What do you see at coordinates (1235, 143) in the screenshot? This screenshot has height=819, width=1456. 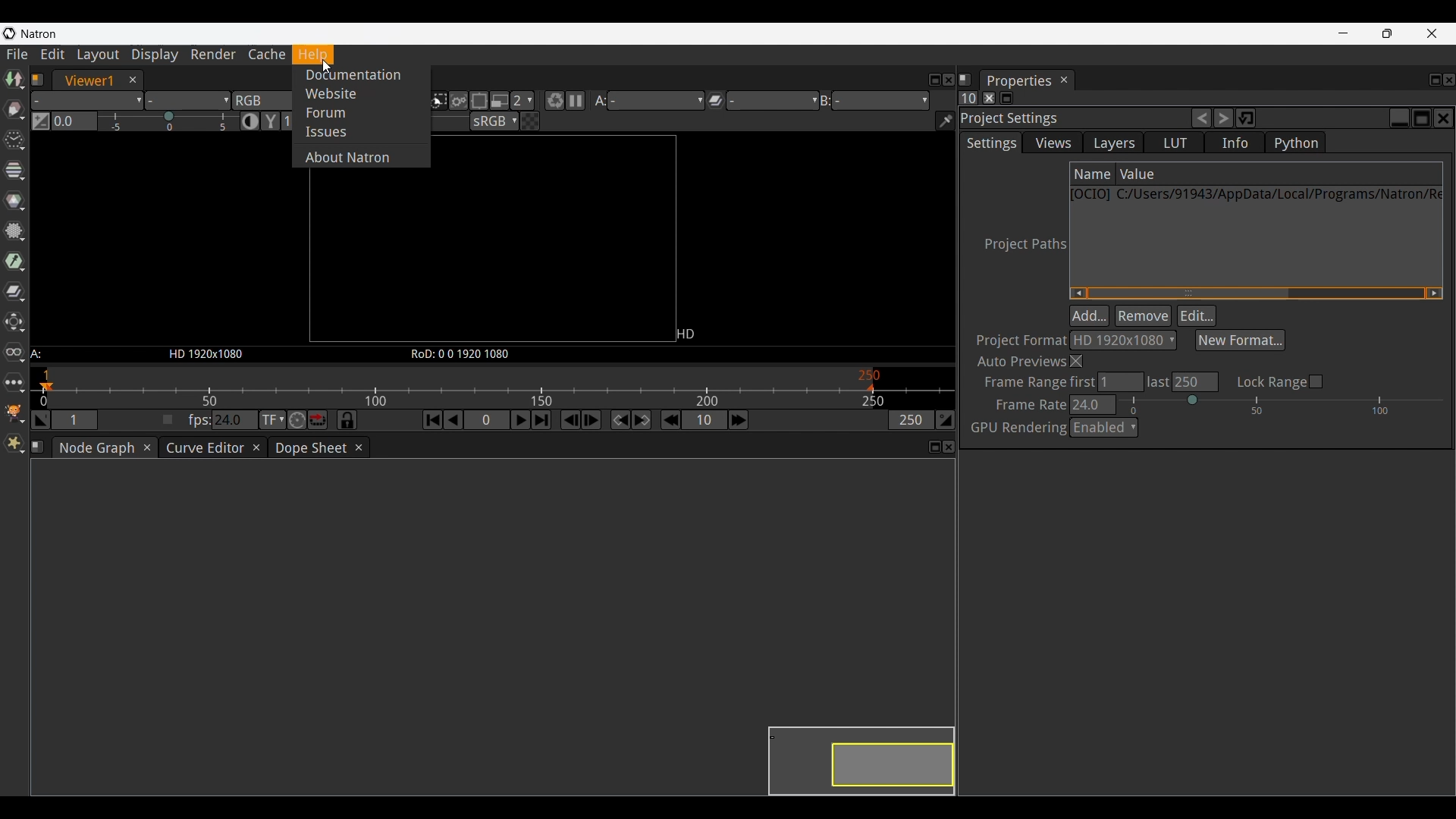 I see `Info settings` at bounding box center [1235, 143].